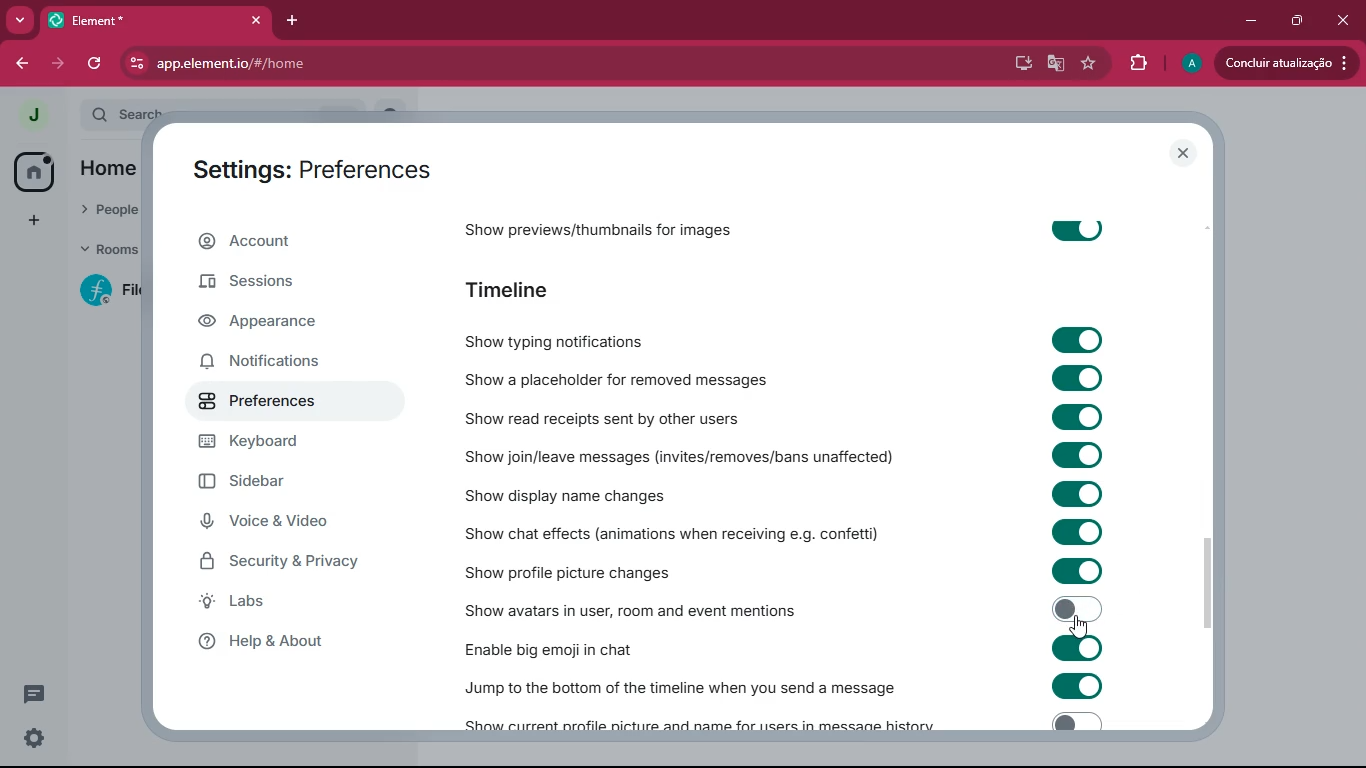  What do you see at coordinates (1076, 607) in the screenshot?
I see `toggle on ` at bounding box center [1076, 607].